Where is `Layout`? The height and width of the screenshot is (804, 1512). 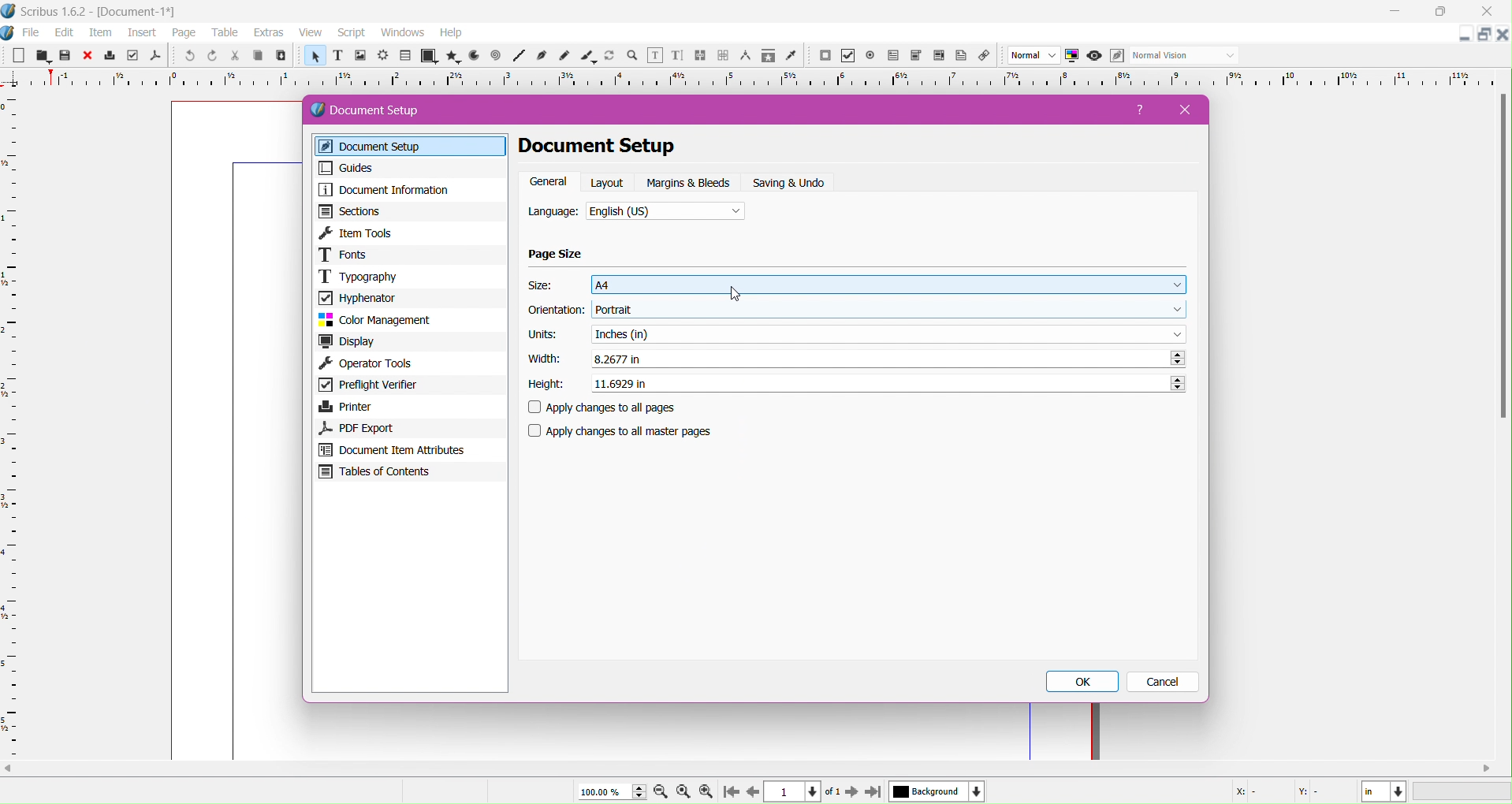 Layout is located at coordinates (609, 182).